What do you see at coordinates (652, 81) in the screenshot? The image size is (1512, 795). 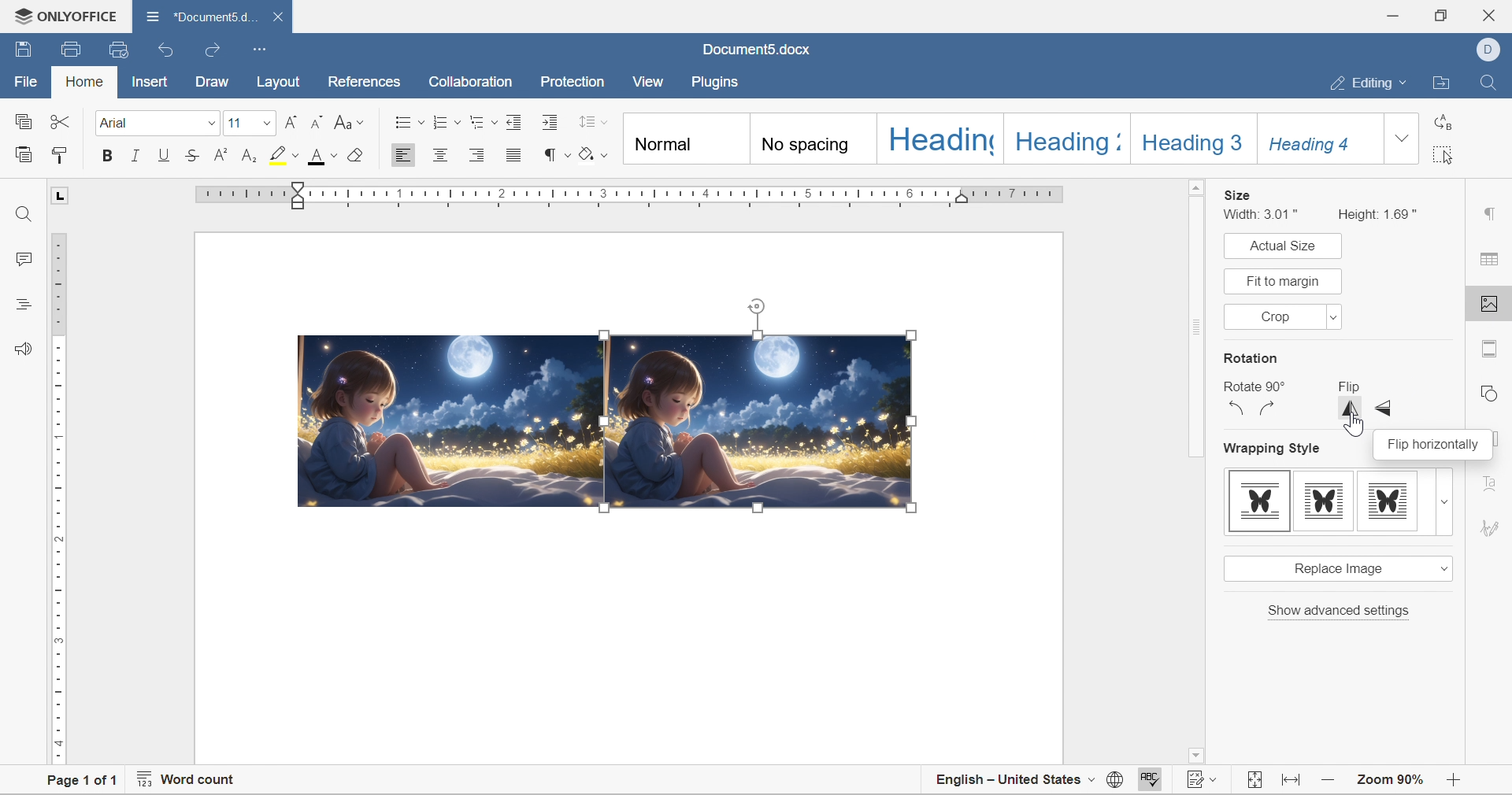 I see `view` at bounding box center [652, 81].